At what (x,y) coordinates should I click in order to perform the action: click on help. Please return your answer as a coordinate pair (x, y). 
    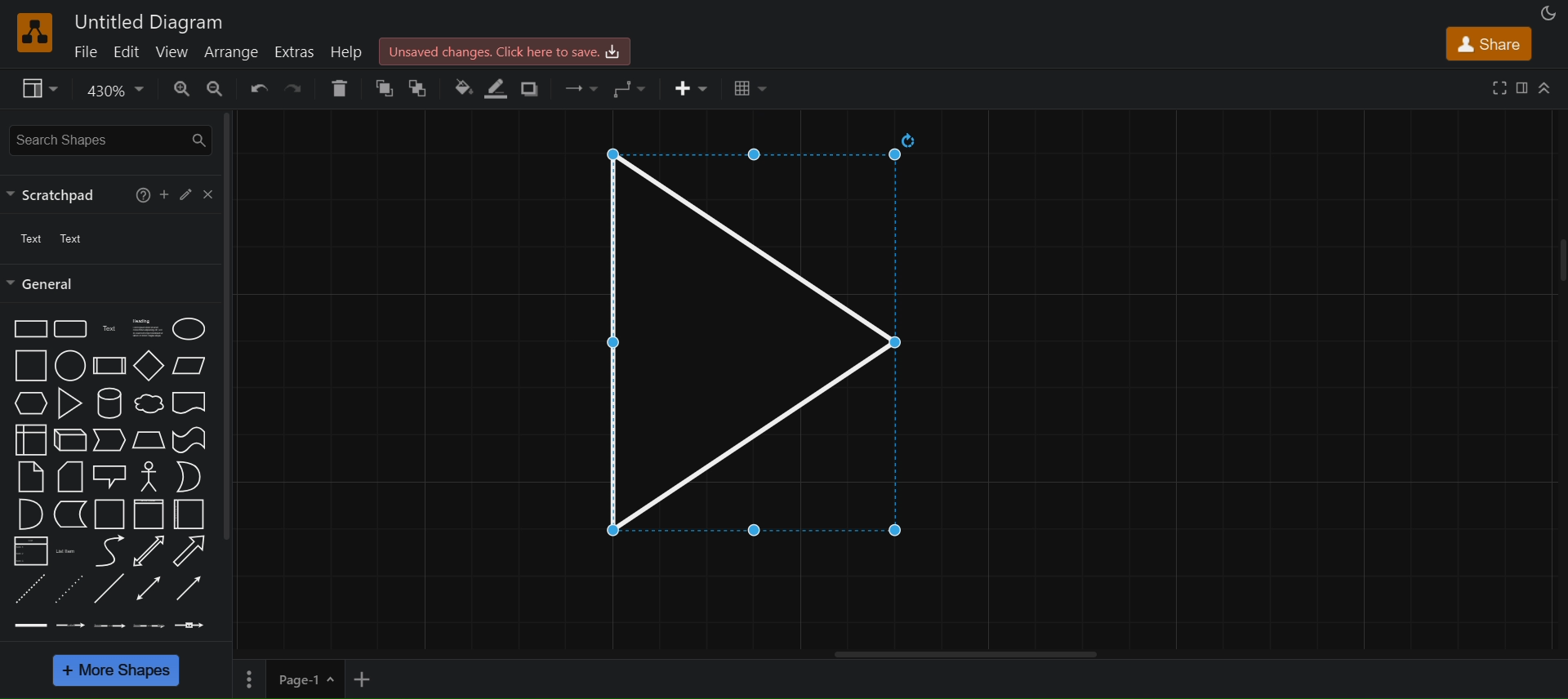
    Looking at the image, I should click on (348, 51).